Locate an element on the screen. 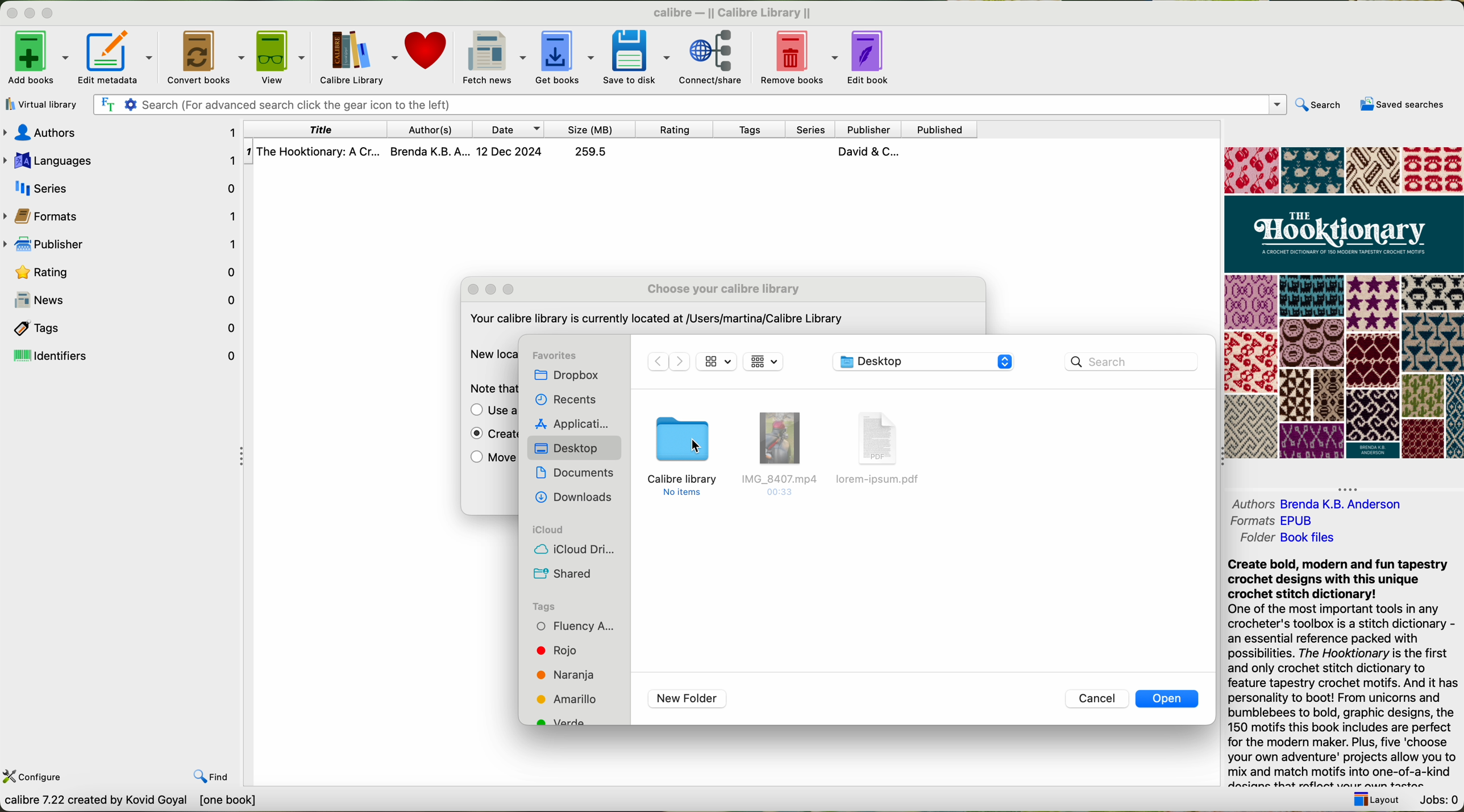  dropbox is located at coordinates (564, 377).